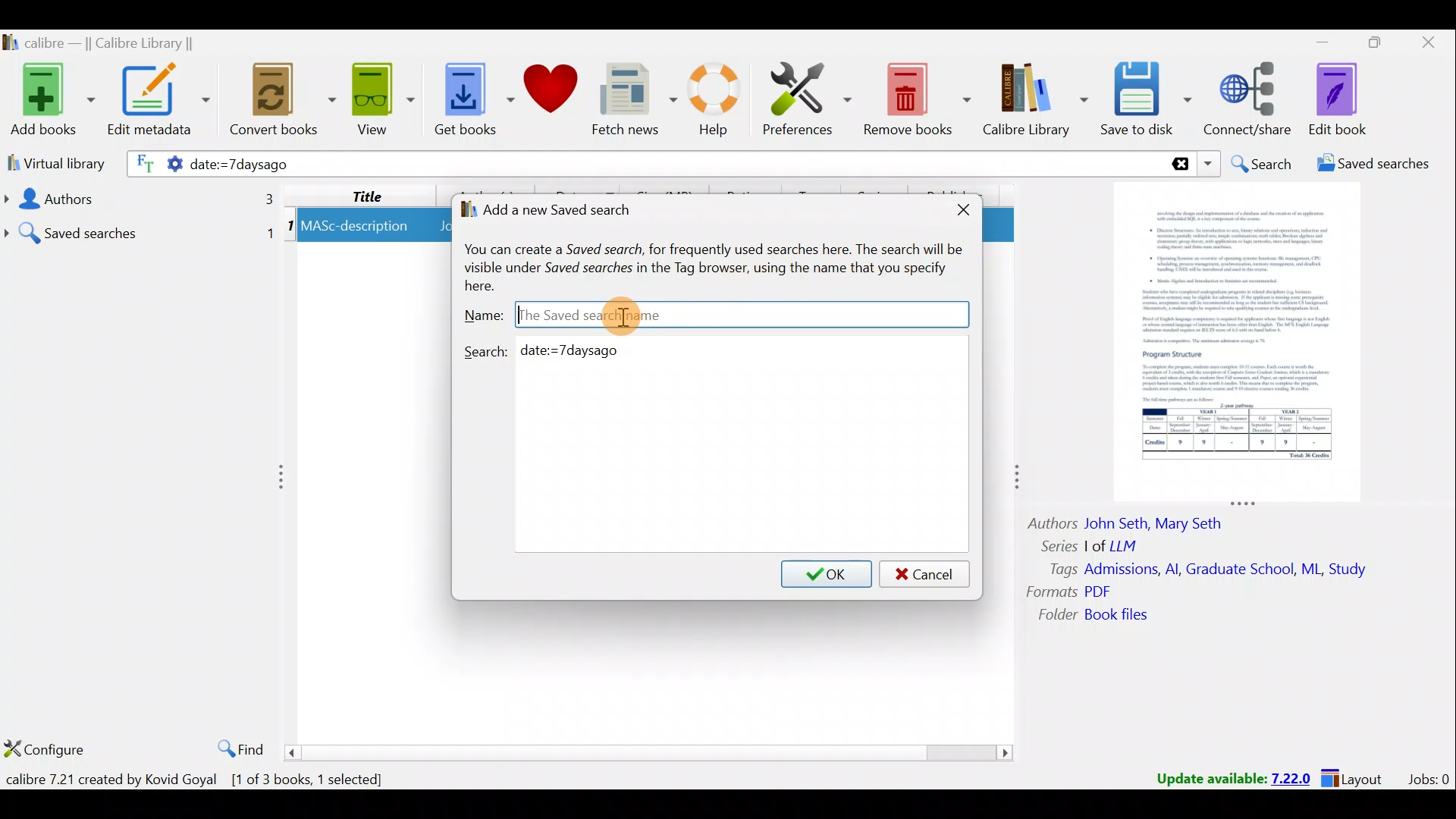  I want to click on Cursor, so click(624, 316).